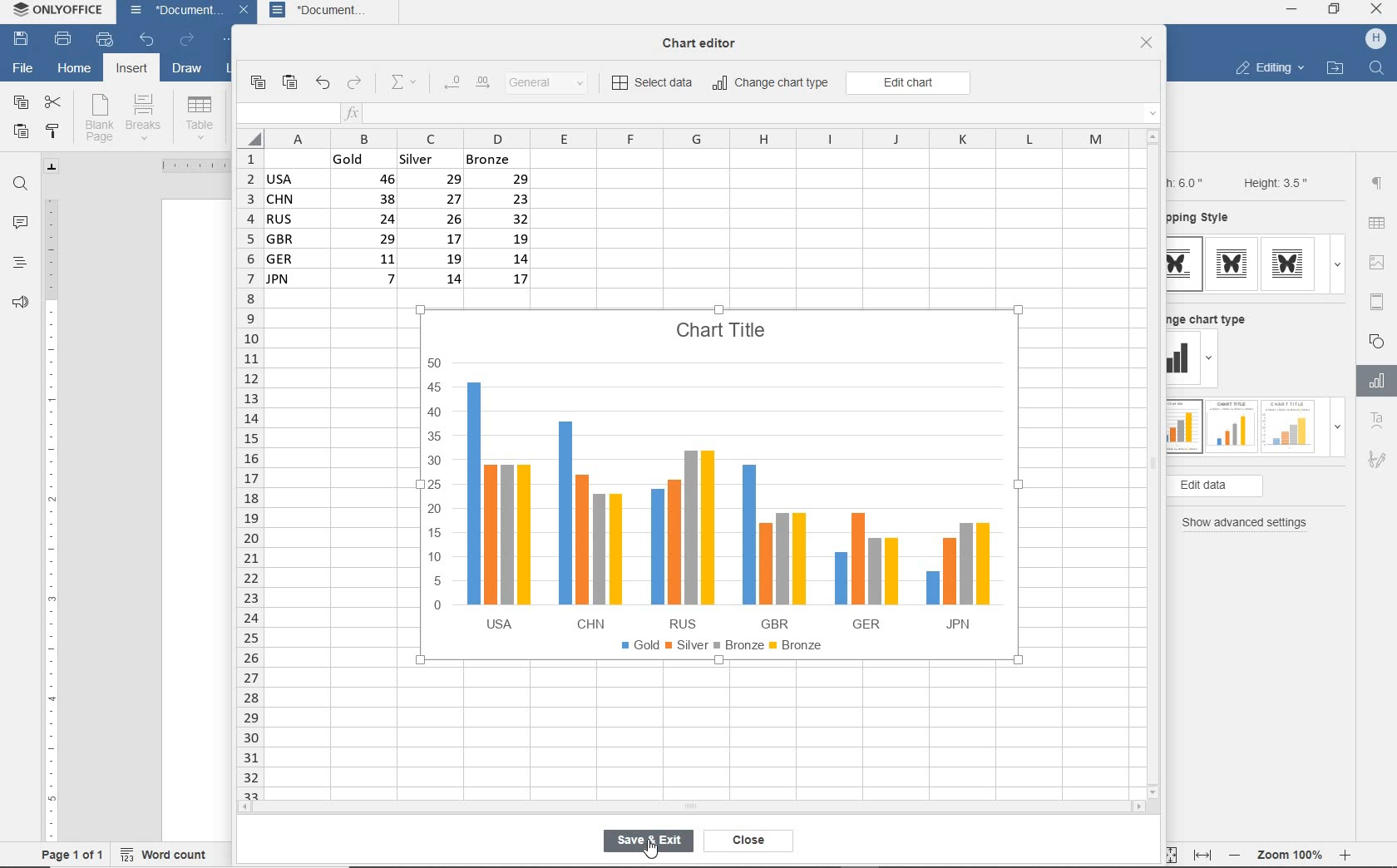 The image size is (1397, 868). Describe the element at coordinates (1185, 264) in the screenshot. I see `type 1` at that location.